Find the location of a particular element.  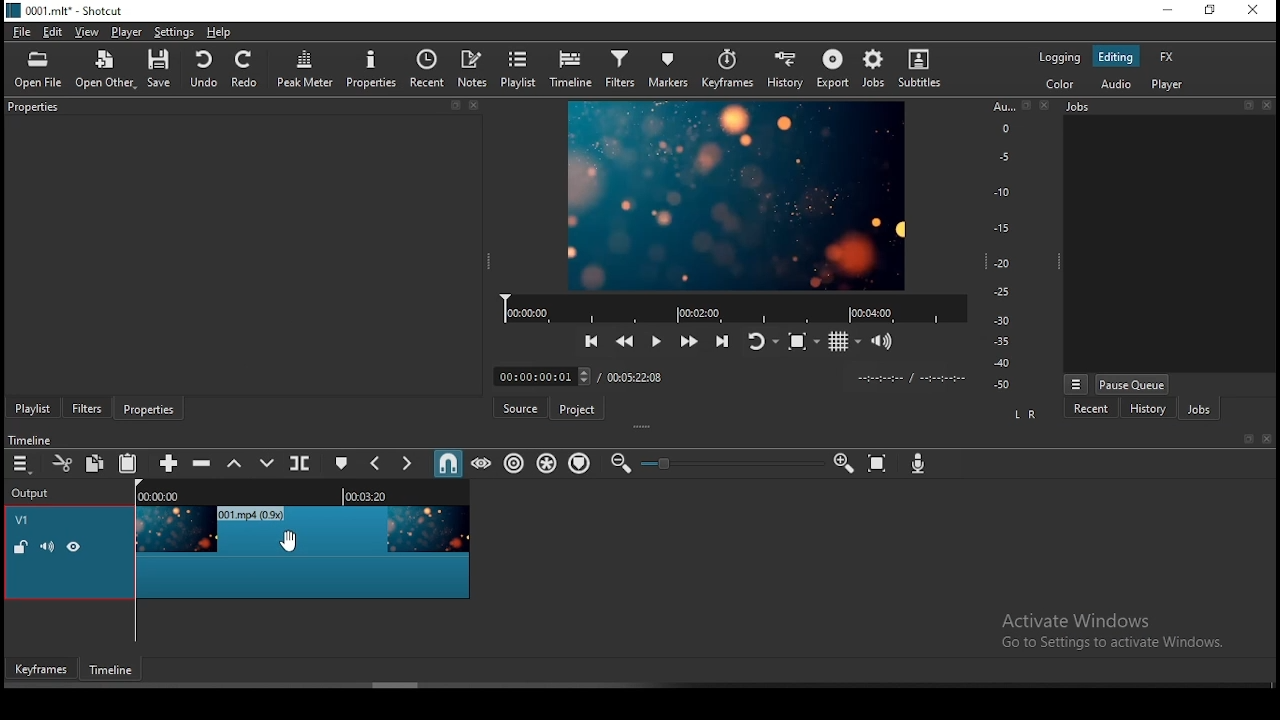

project is located at coordinates (578, 408).